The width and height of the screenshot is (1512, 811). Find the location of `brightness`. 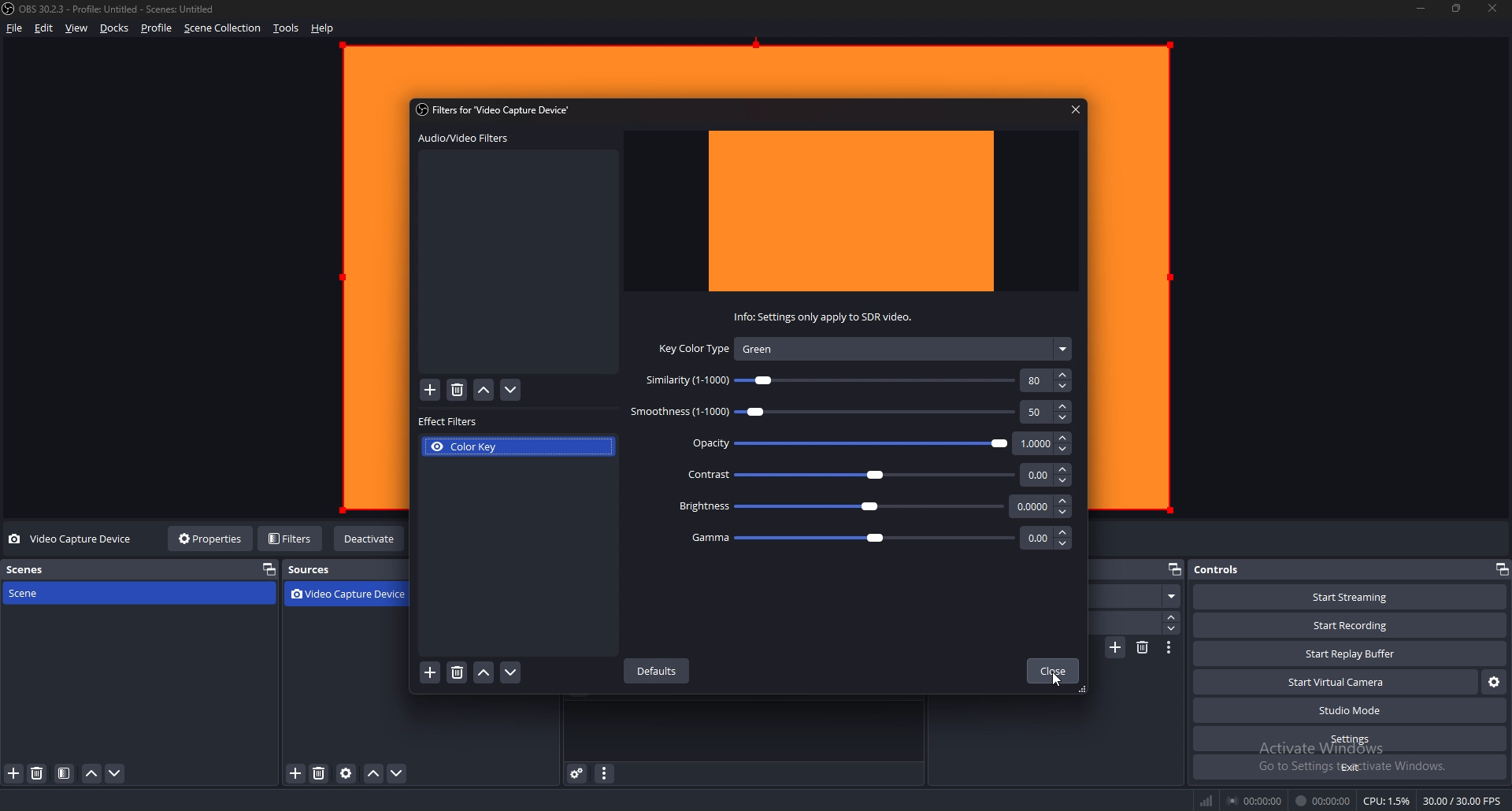

brightness is located at coordinates (869, 505).